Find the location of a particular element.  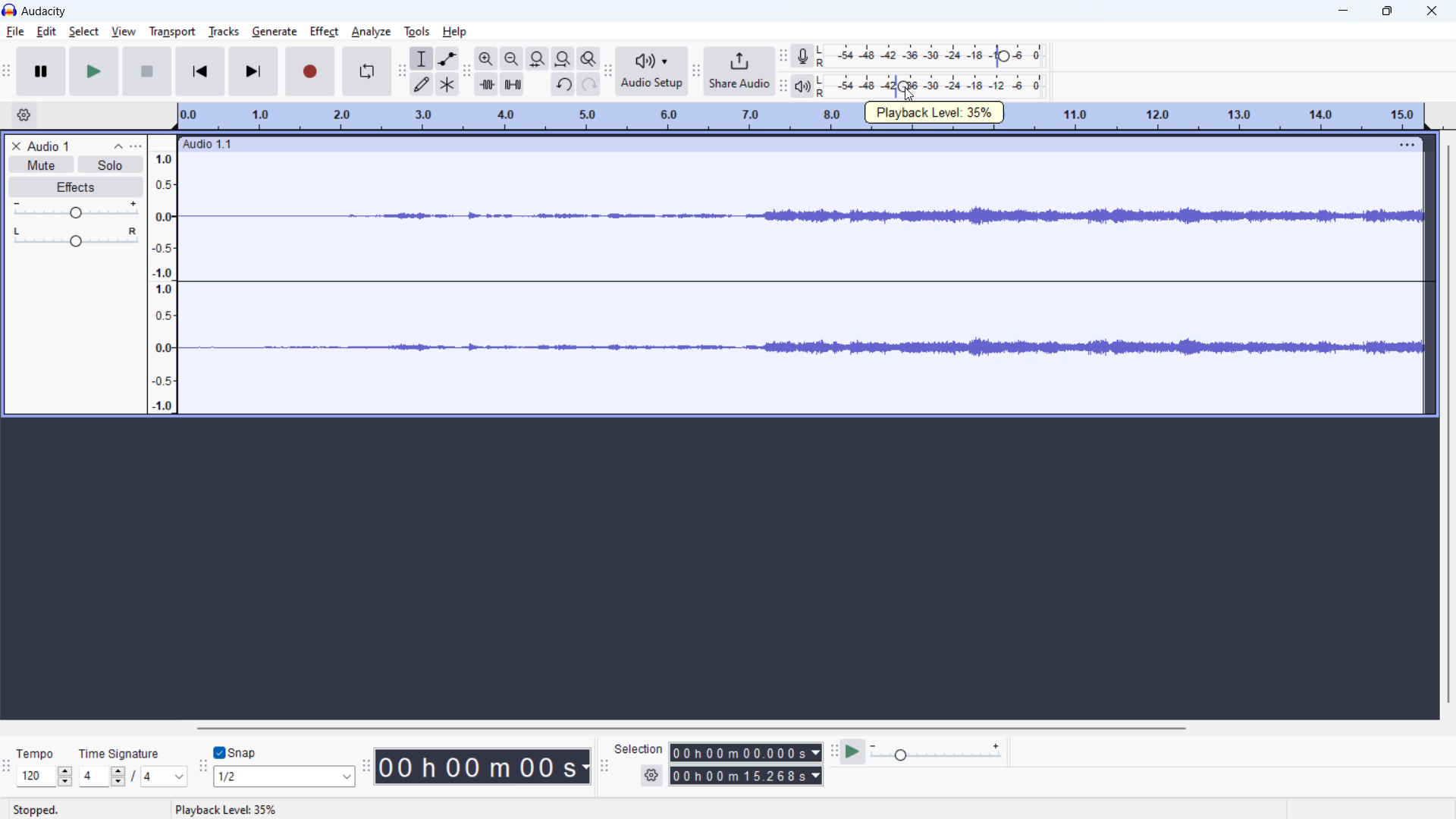

snapping toolbar is located at coordinates (202, 765).